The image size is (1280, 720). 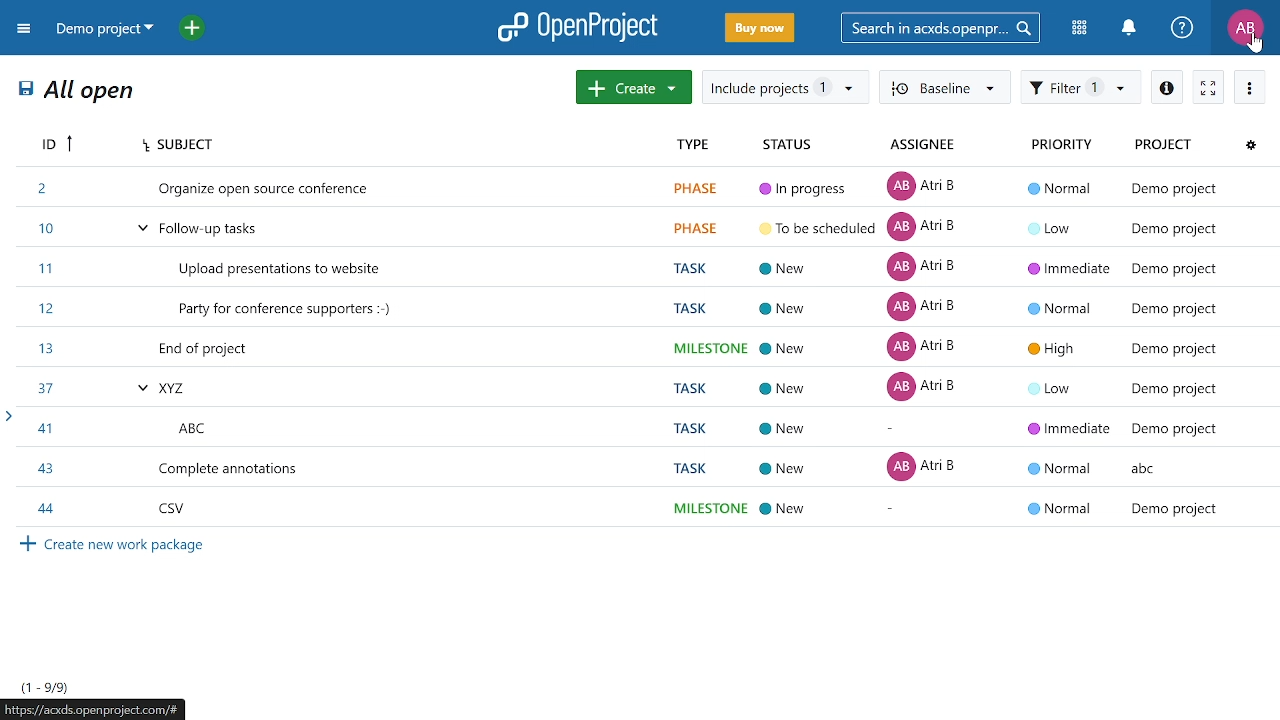 What do you see at coordinates (95, 709) in the screenshot?
I see `webpage adress` at bounding box center [95, 709].